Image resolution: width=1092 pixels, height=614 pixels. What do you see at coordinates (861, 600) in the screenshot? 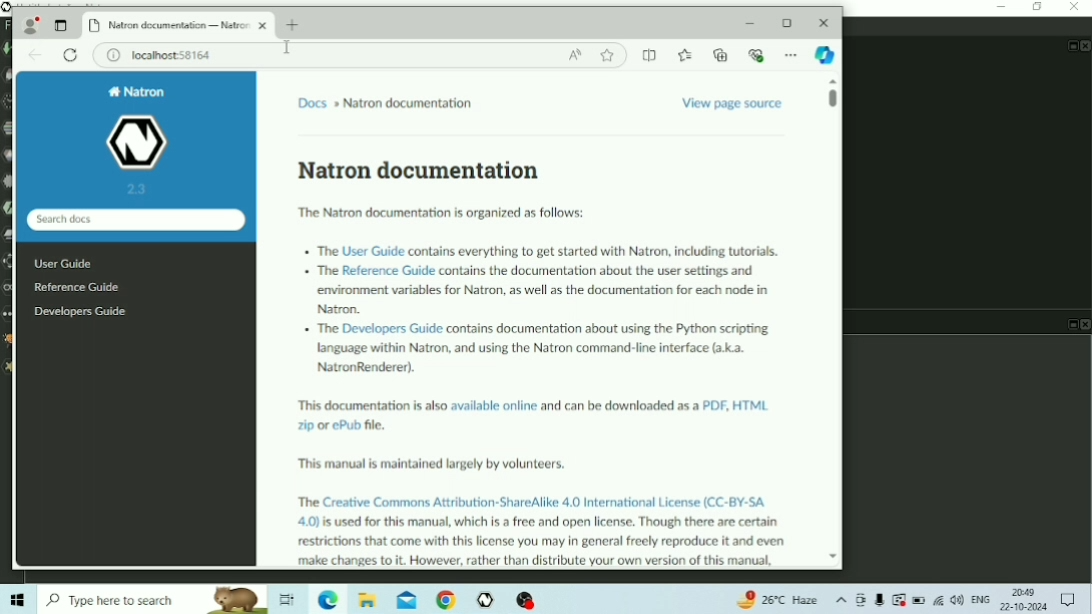
I see `Meet Now` at bounding box center [861, 600].